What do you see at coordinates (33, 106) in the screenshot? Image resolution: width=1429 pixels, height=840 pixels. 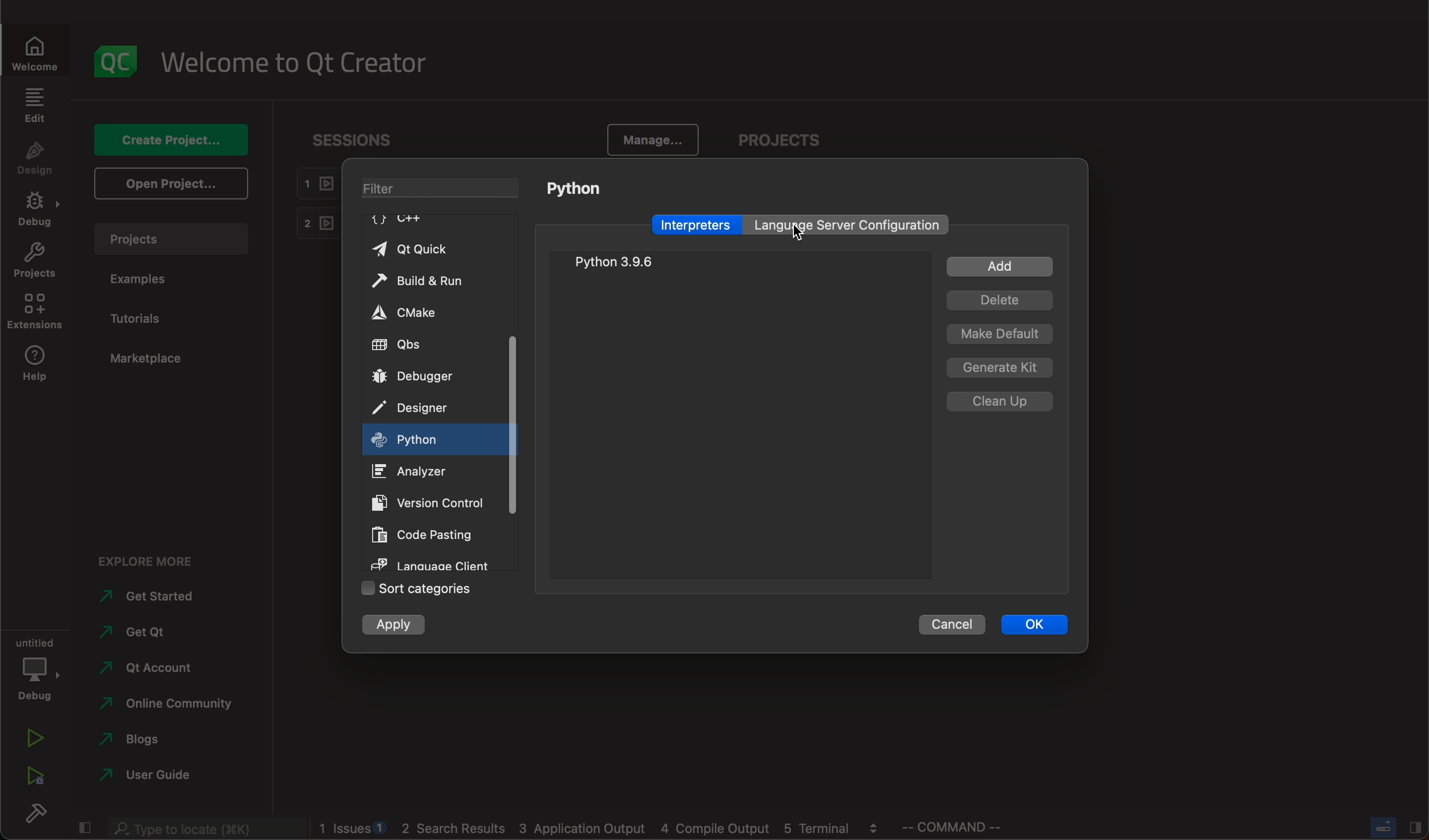 I see `edit` at bounding box center [33, 106].